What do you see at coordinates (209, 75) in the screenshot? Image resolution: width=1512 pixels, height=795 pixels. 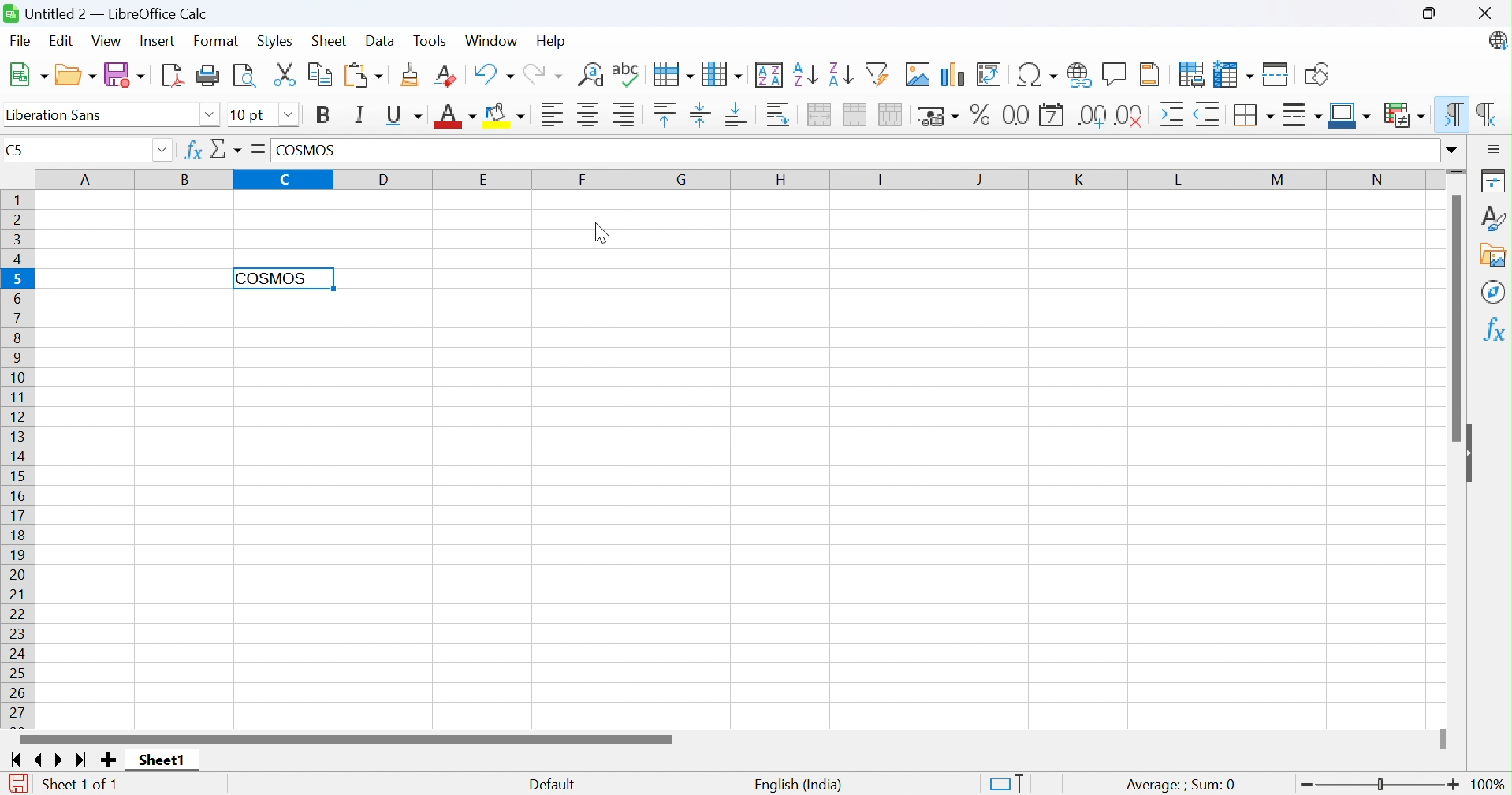 I see `Print` at bounding box center [209, 75].